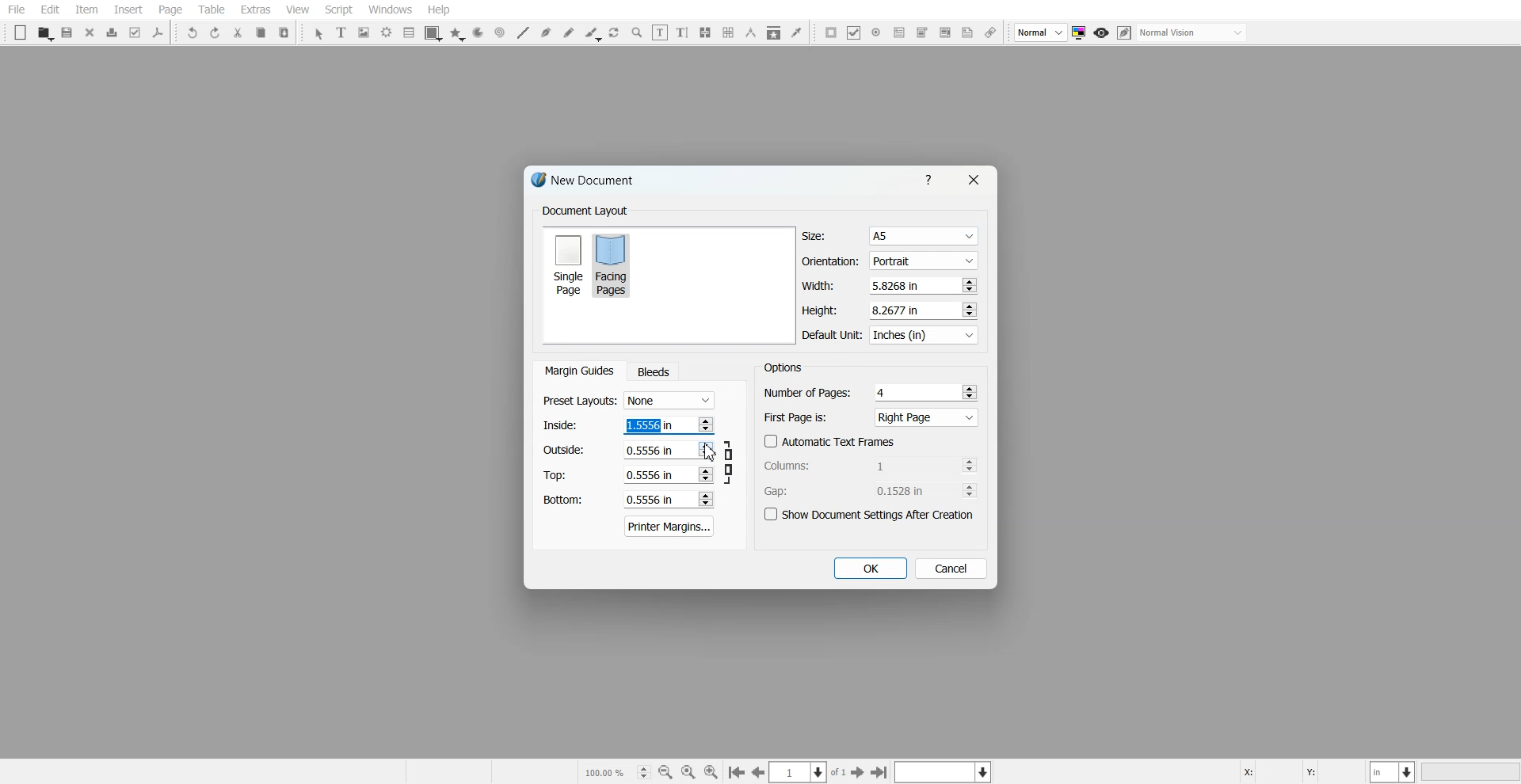 The image size is (1521, 784). I want to click on Left margin adjuster, so click(628, 424).